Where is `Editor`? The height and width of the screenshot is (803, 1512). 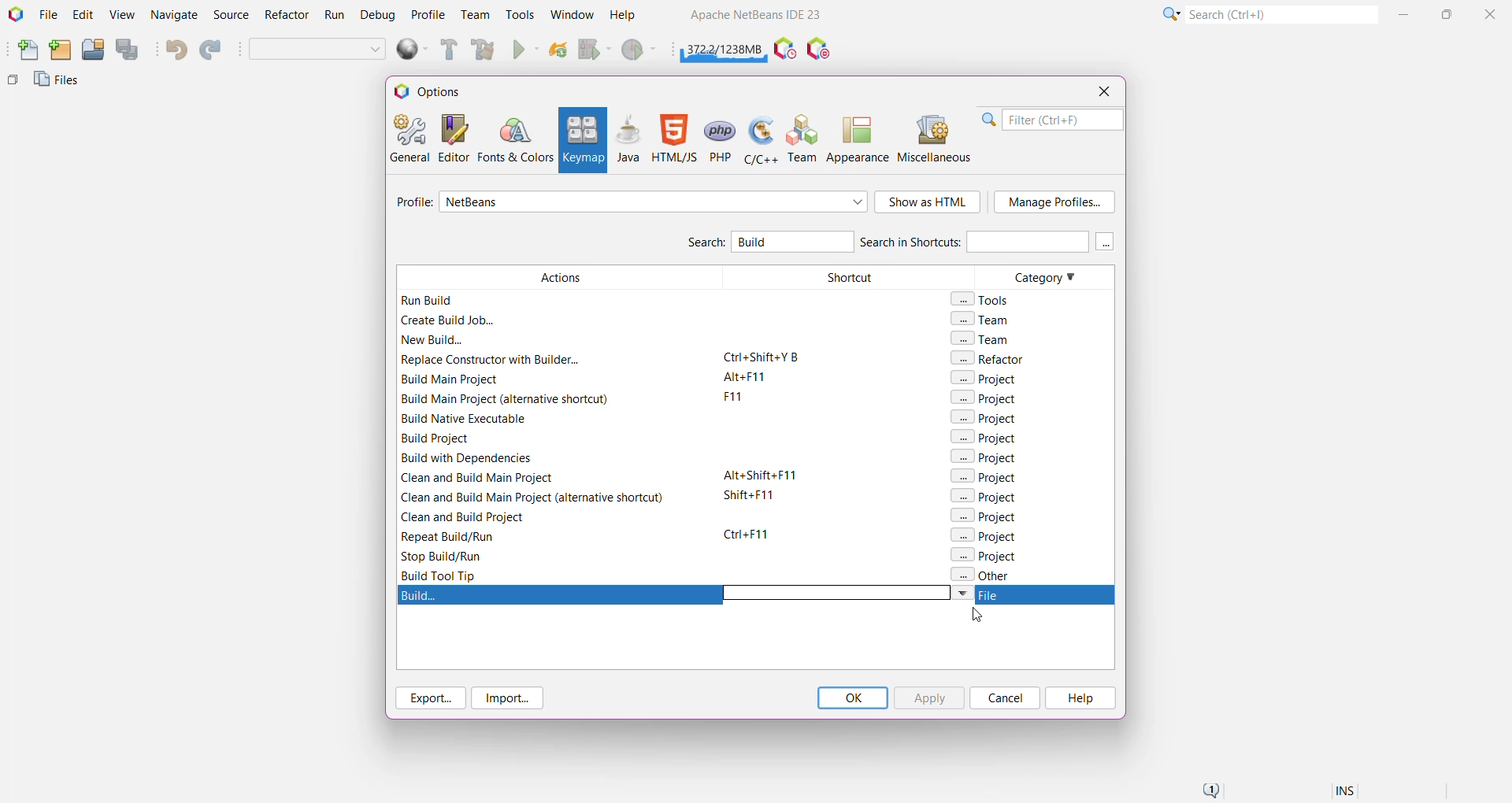 Editor is located at coordinates (450, 138).